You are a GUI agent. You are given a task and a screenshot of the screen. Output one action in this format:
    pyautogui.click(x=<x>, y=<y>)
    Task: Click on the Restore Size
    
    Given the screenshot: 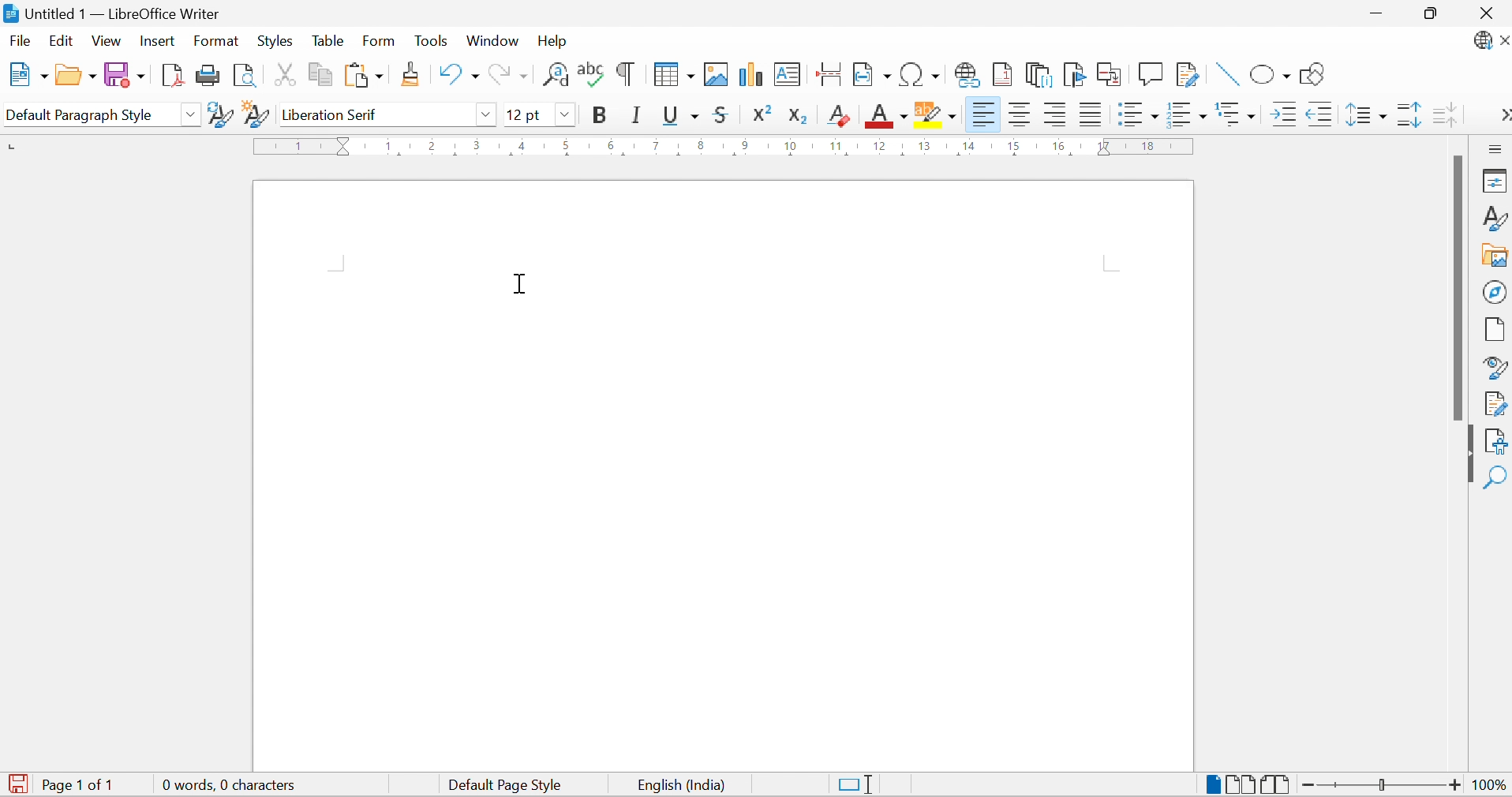 What is the action you would take?
    pyautogui.click(x=1432, y=17)
    